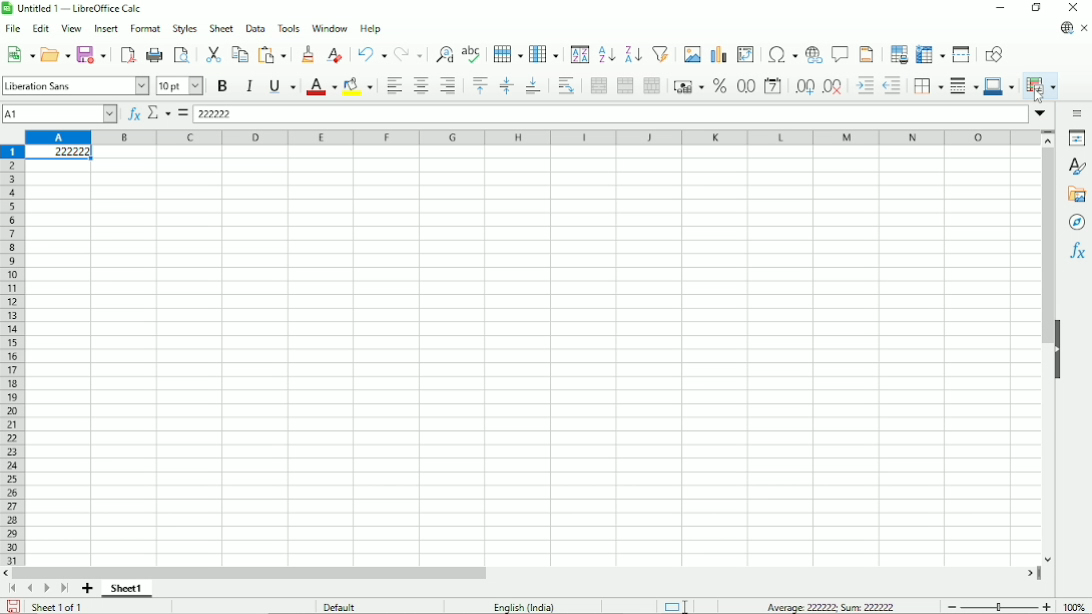 The height and width of the screenshot is (614, 1092). Describe the element at coordinates (21, 53) in the screenshot. I see `New` at that location.